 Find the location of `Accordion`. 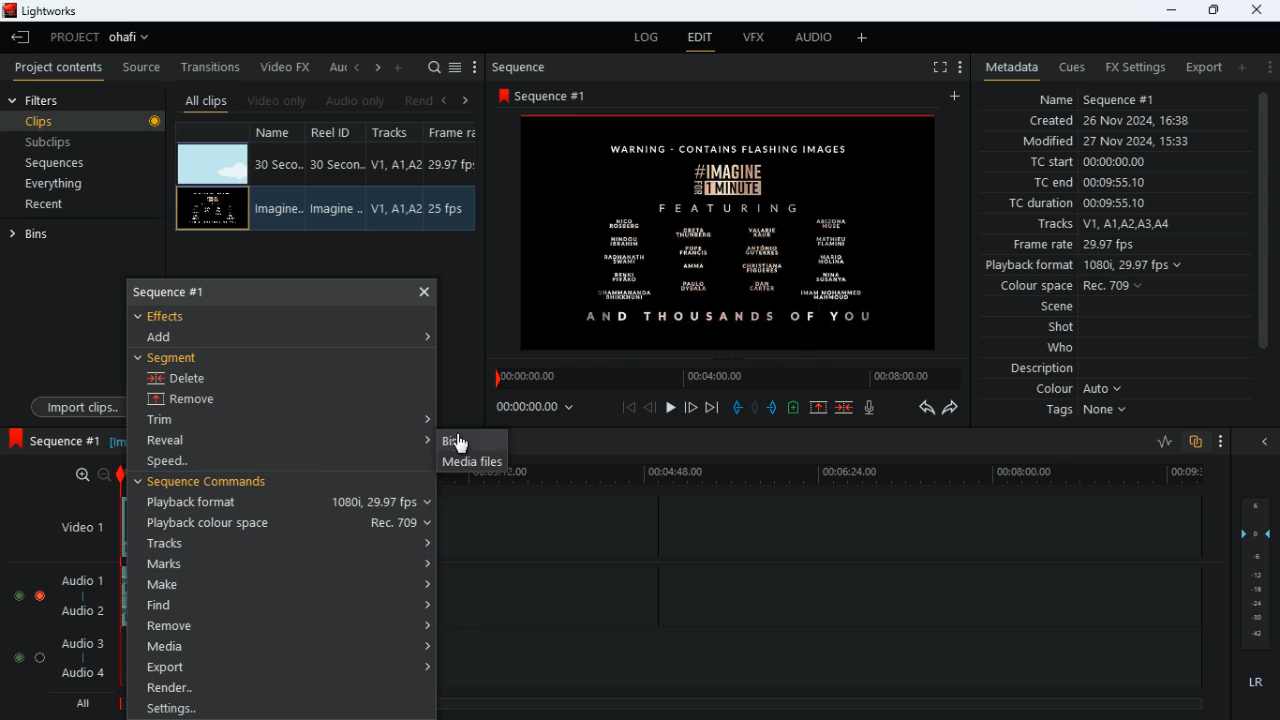

Accordion is located at coordinates (429, 440).